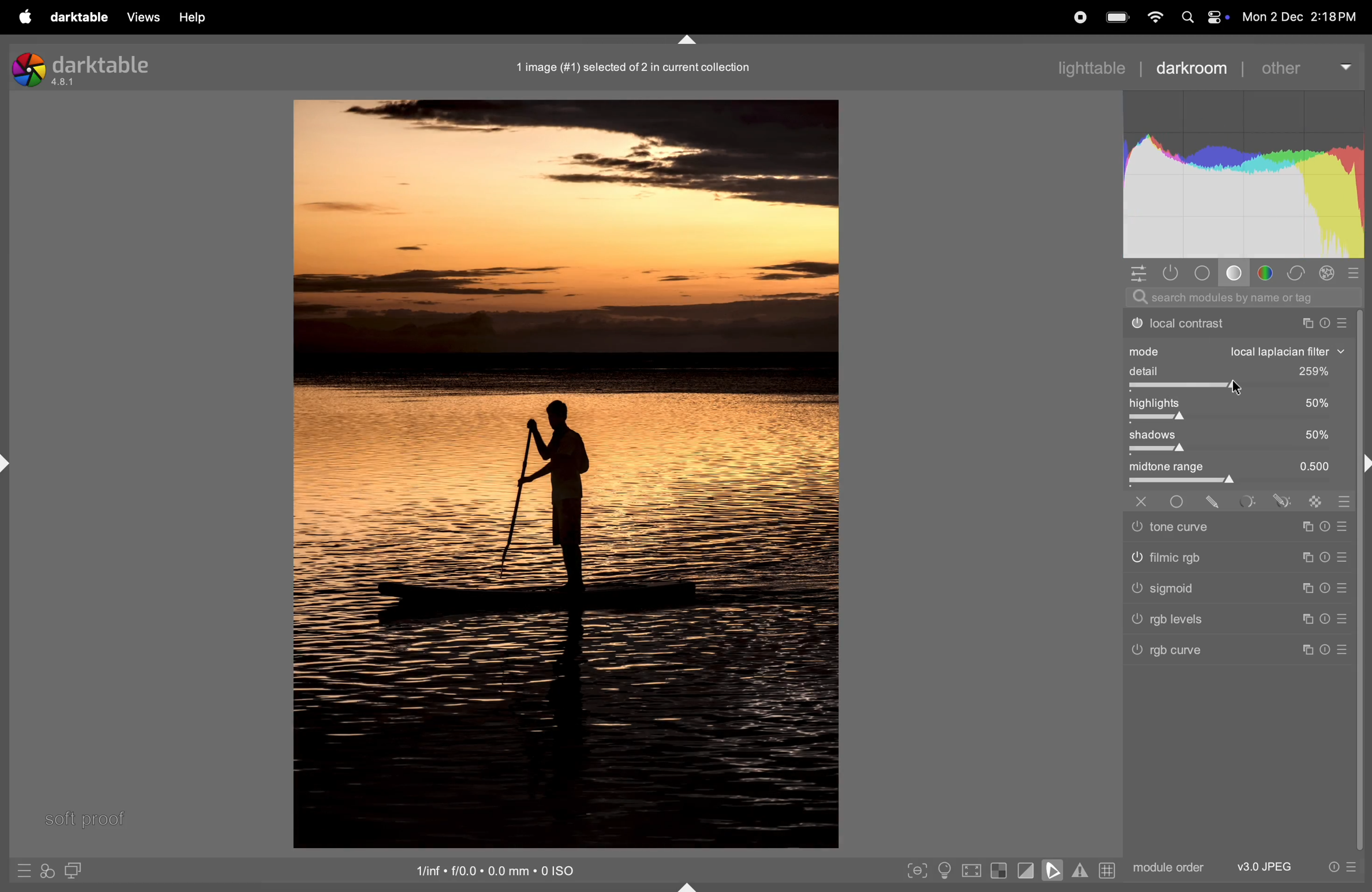 The image size is (1372, 892). Describe the element at coordinates (1262, 867) in the screenshot. I see `v3 jpeg` at that location.